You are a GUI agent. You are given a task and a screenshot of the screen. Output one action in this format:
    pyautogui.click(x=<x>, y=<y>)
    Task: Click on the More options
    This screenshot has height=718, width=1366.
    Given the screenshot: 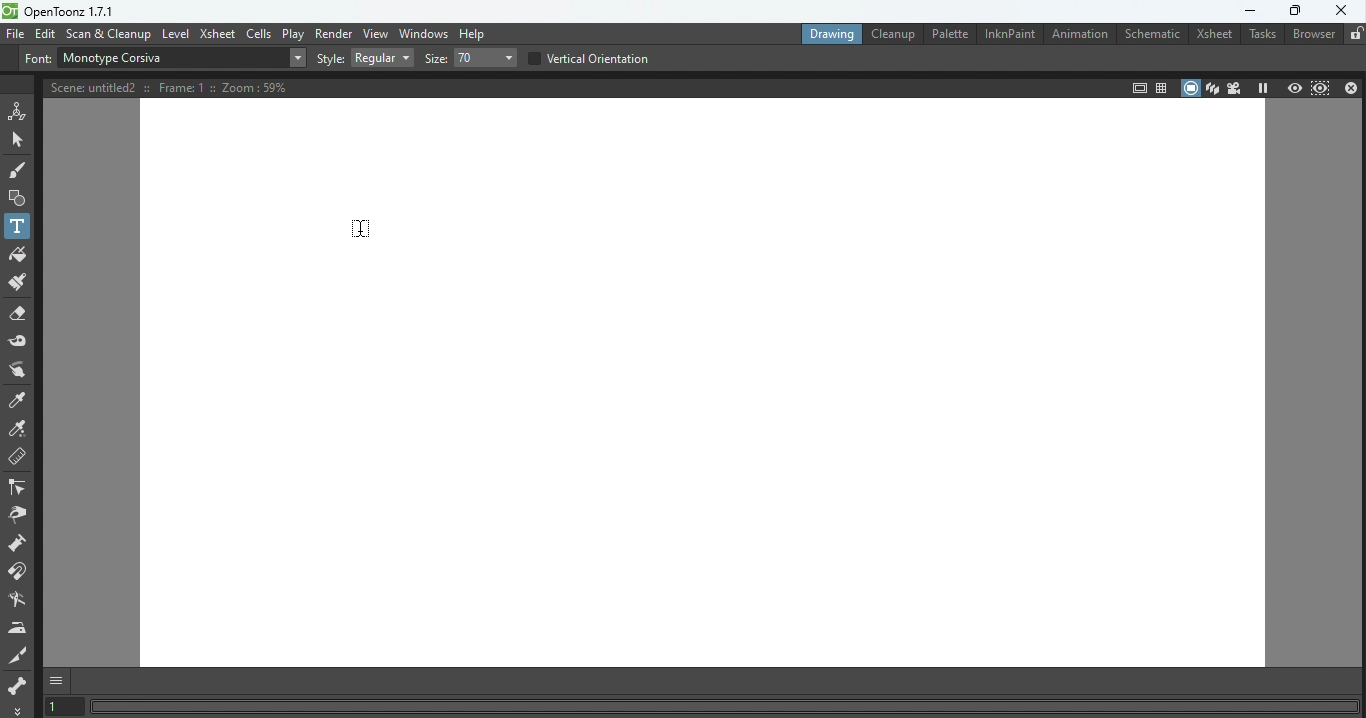 What is the action you would take?
    pyautogui.click(x=18, y=708)
    